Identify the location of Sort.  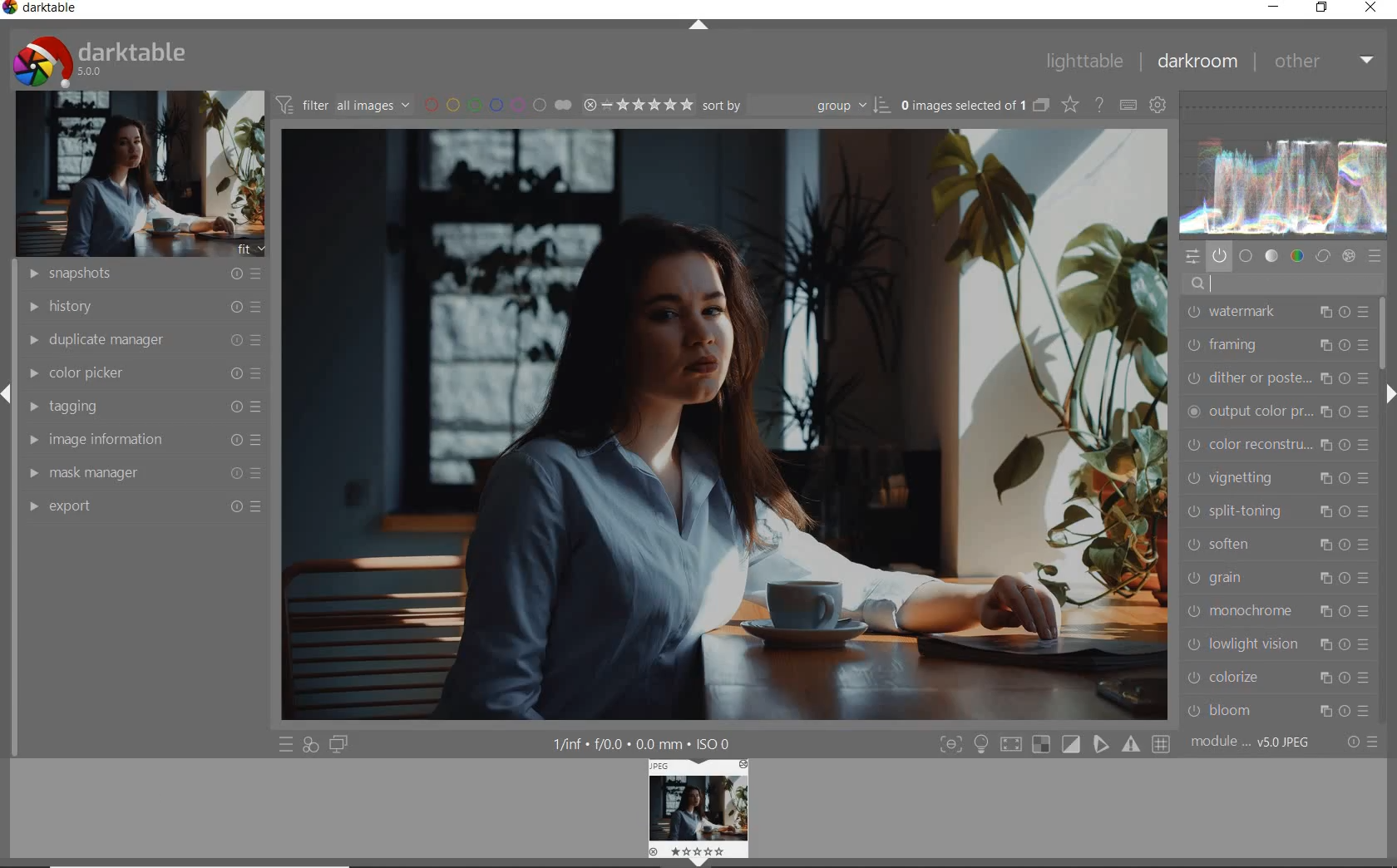
(797, 104).